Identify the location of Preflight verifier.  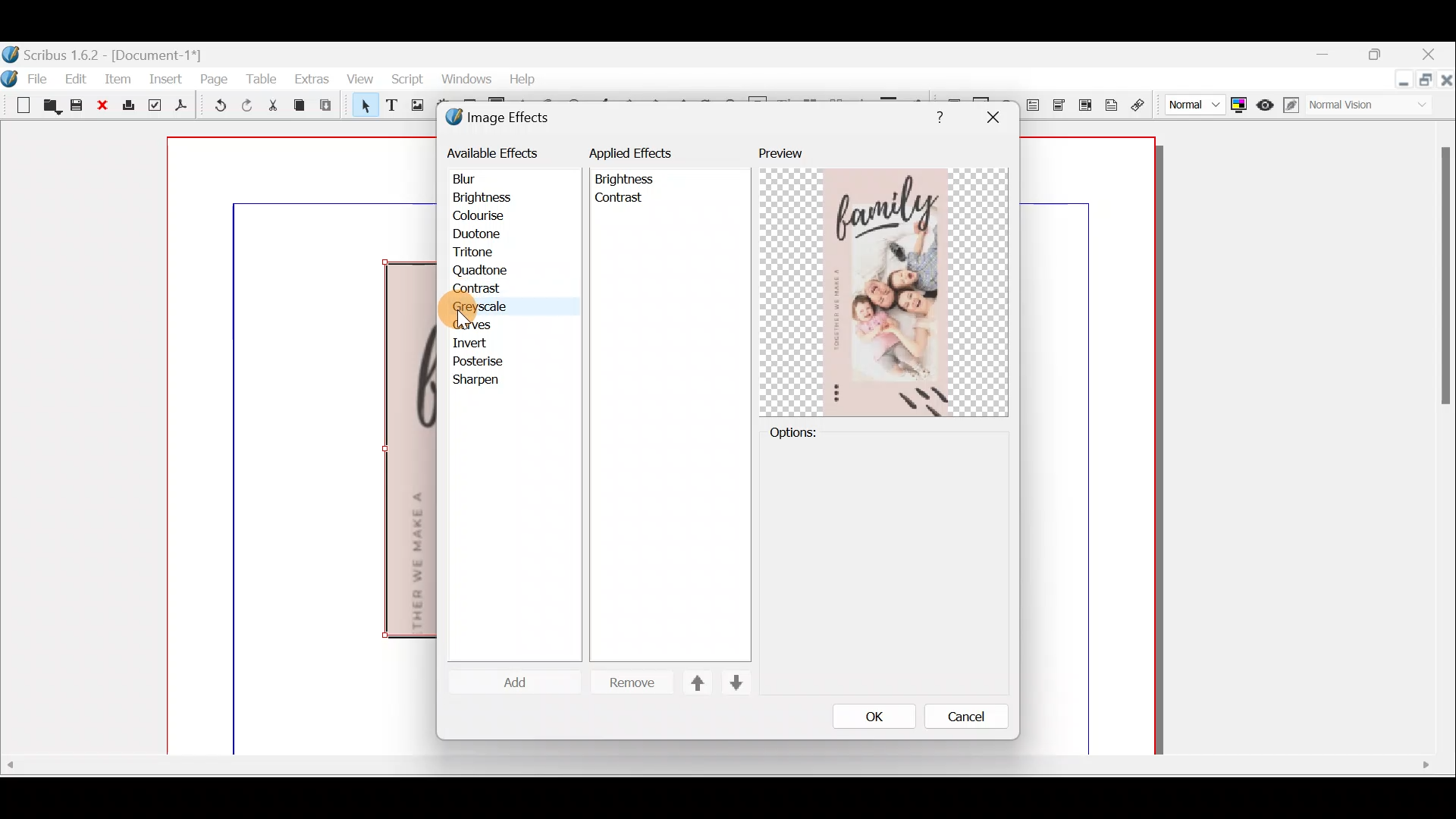
(155, 107).